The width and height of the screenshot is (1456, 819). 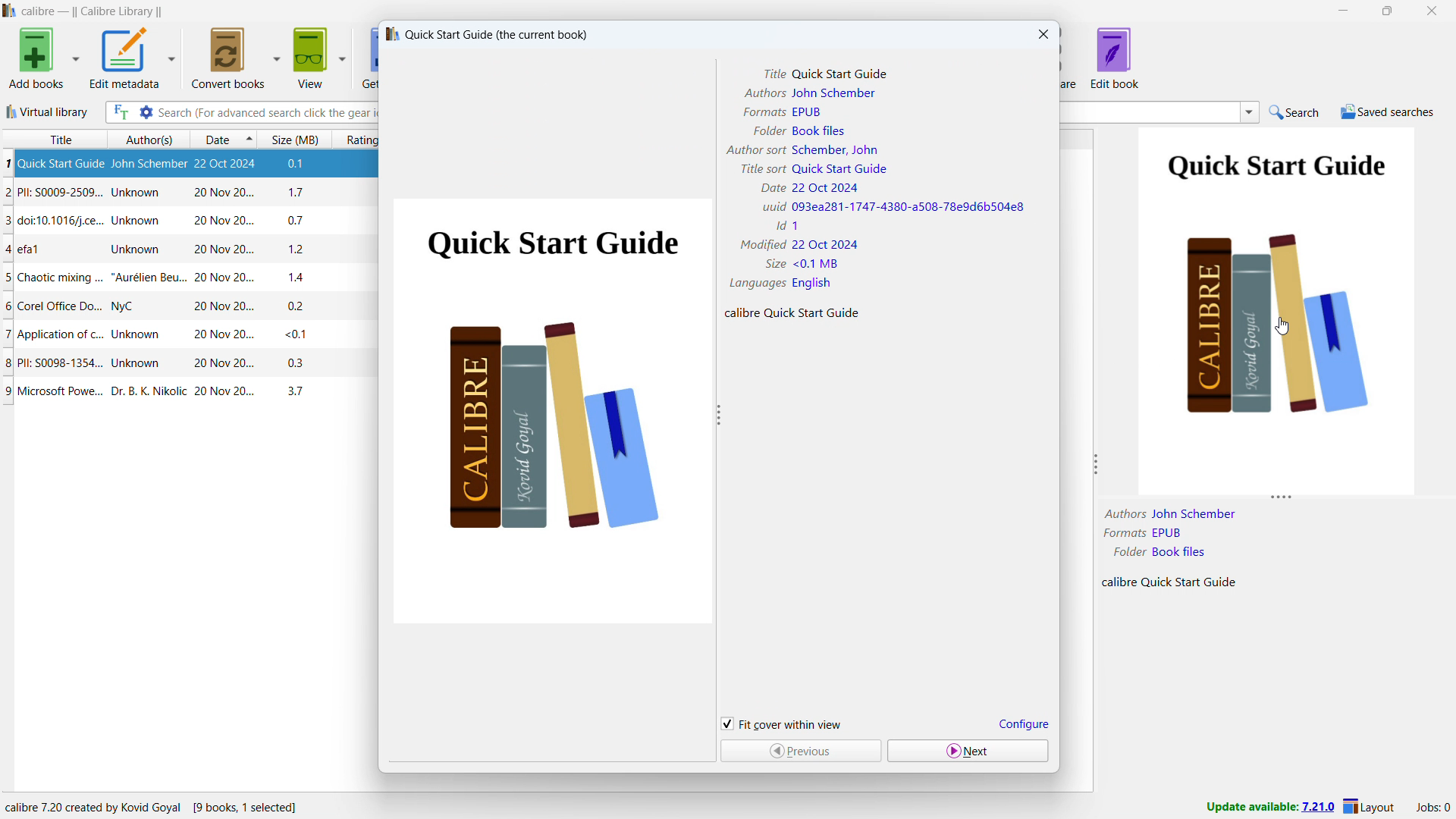 I want to click on calibre - | Calibre Library, so click(x=92, y=11).